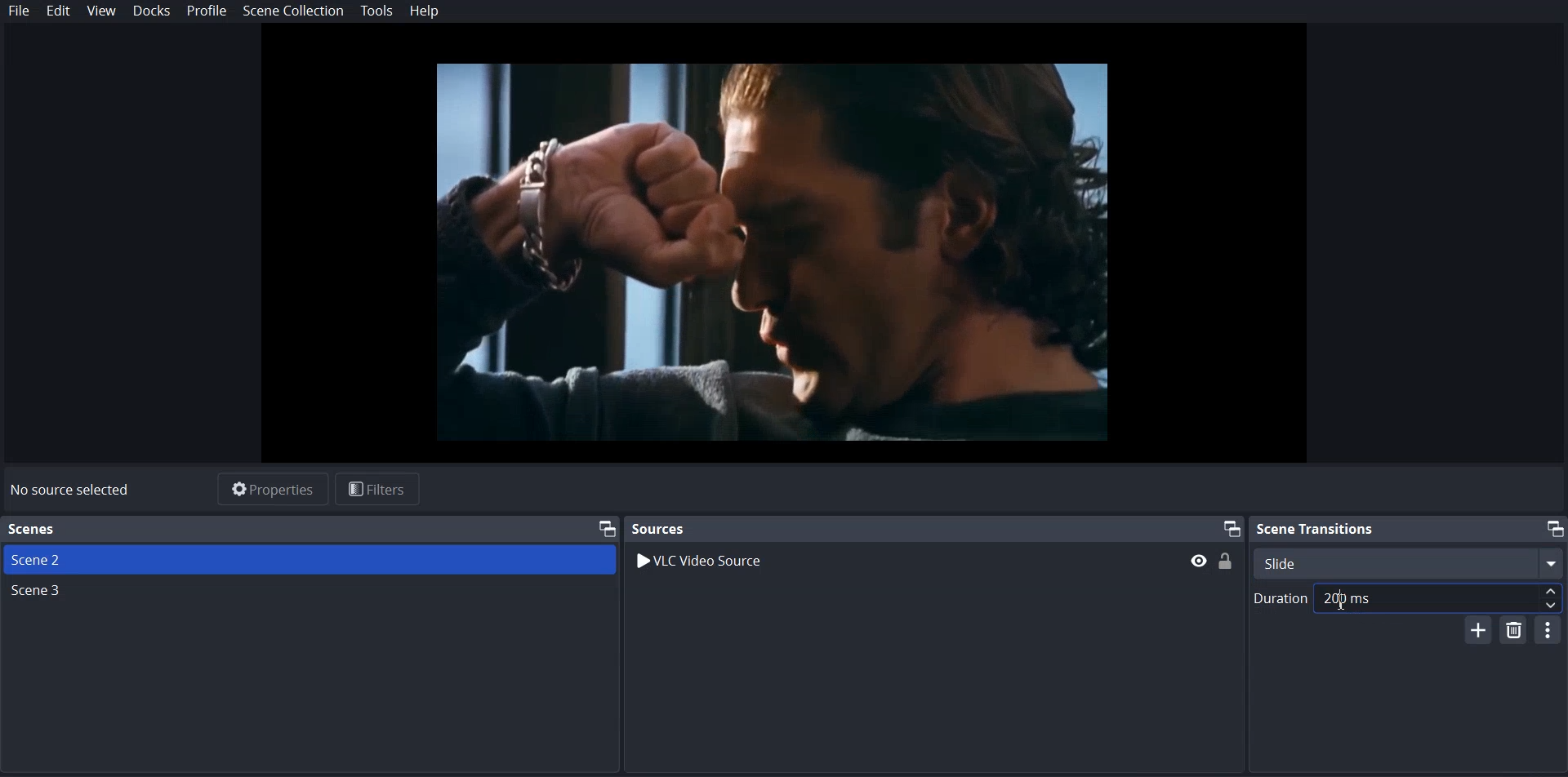 The image size is (1568, 777). I want to click on Add Configurable Transition, so click(1480, 628).